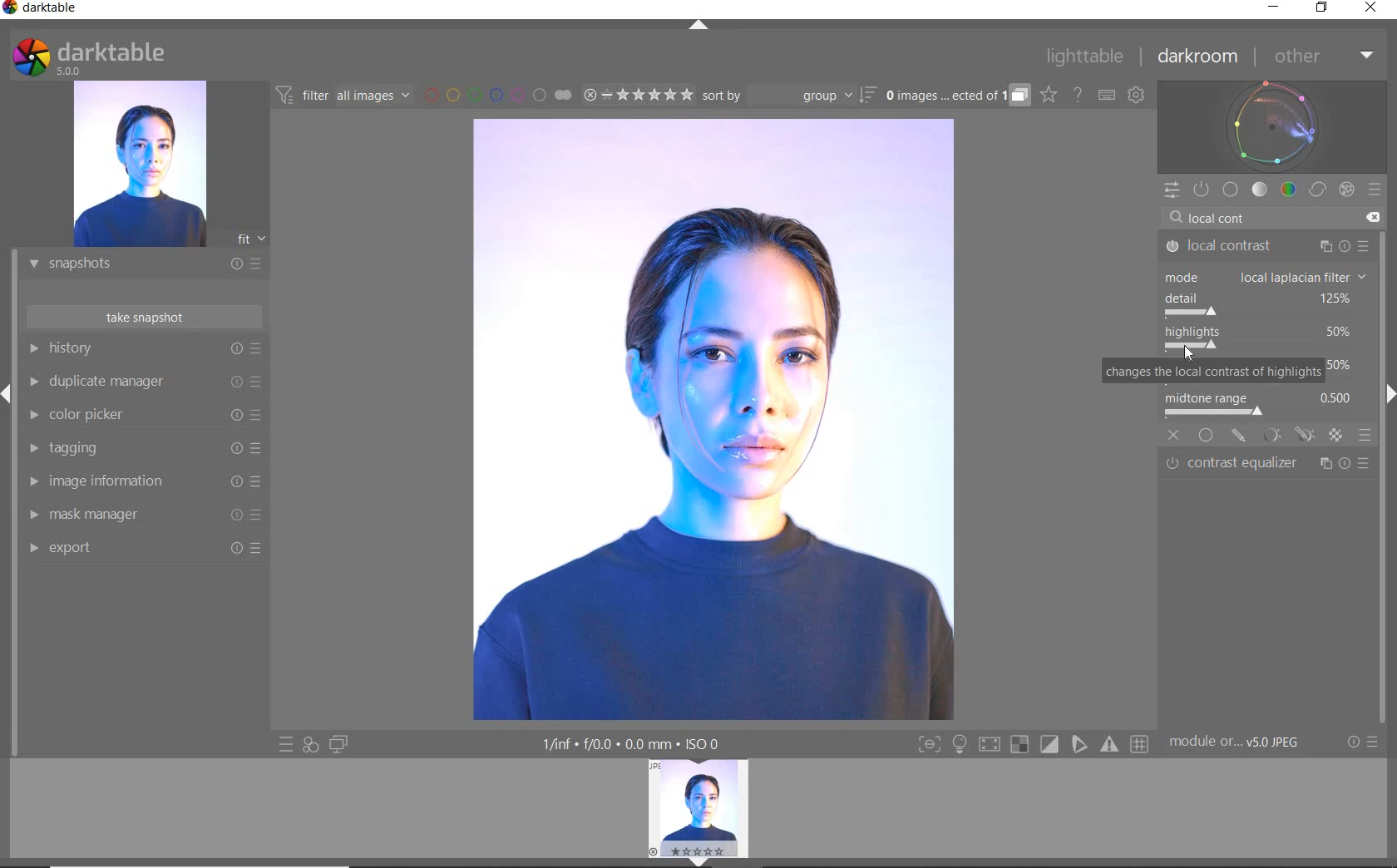  What do you see at coordinates (338, 744) in the screenshot?
I see `DISPLAY A SECOND DARKROOM IMAGE WINDOW` at bounding box center [338, 744].